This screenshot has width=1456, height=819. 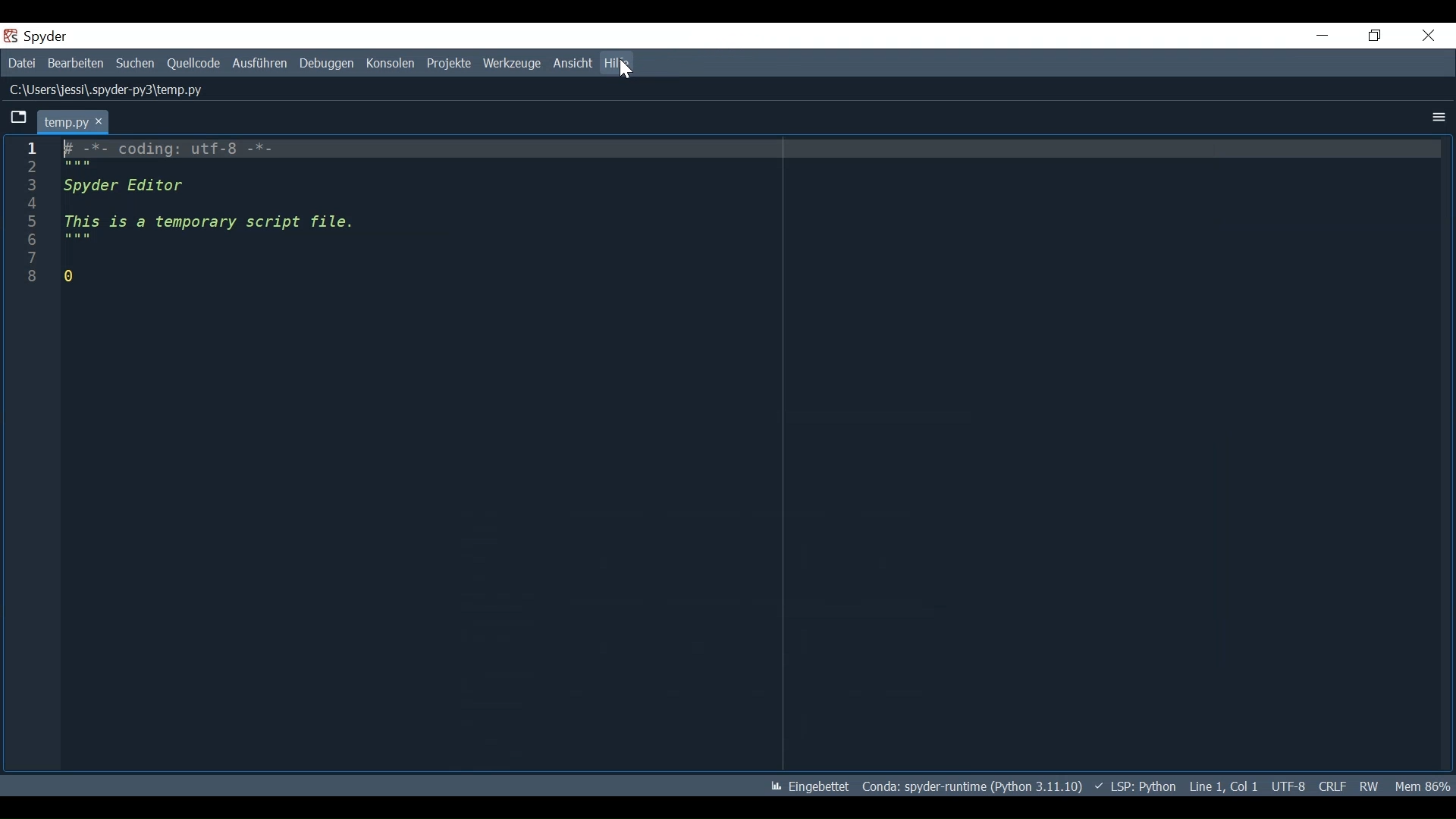 I want to click on Run, so click(x=259, y=64).